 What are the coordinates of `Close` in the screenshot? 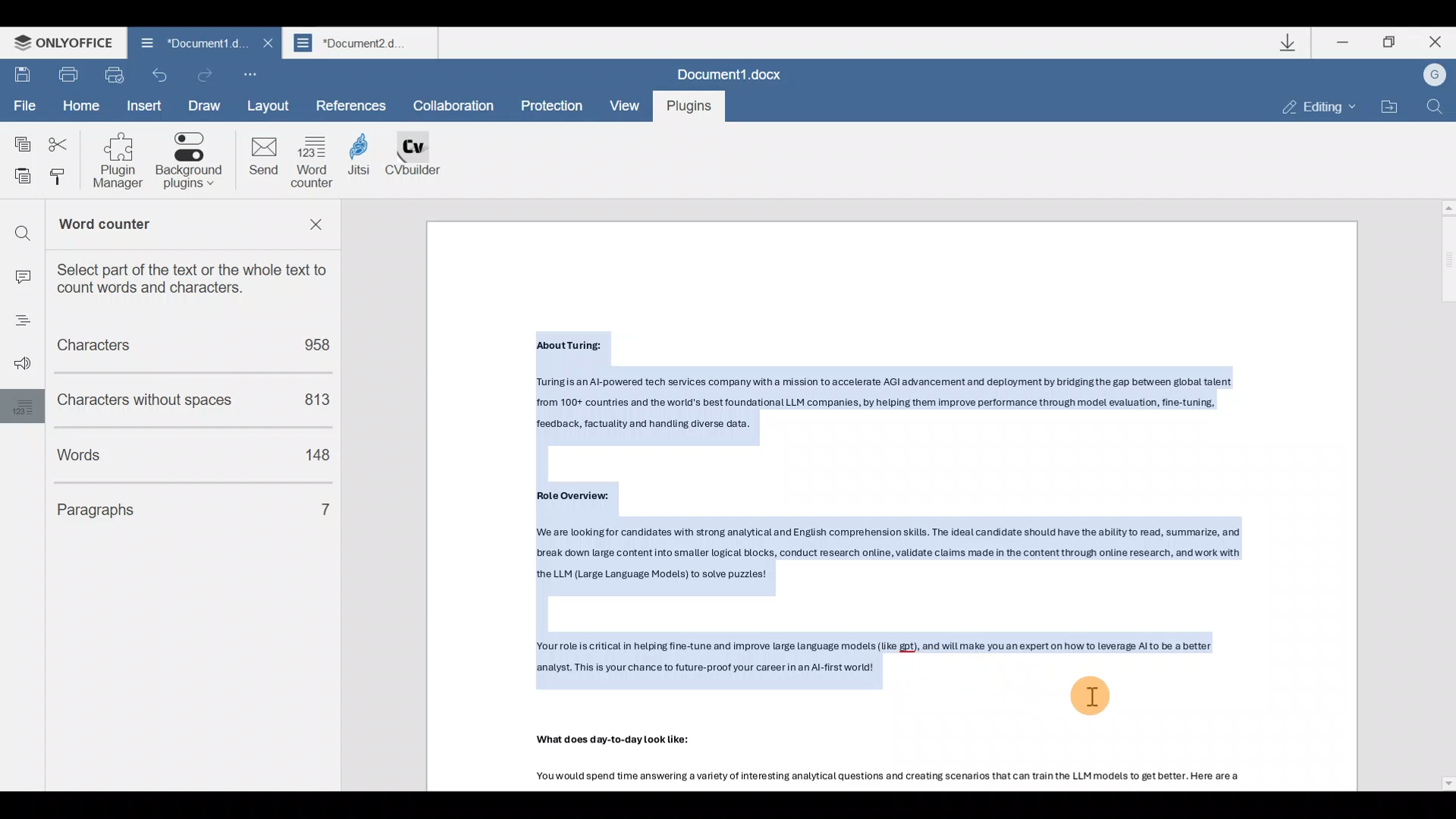 It's located at (1432, 43).